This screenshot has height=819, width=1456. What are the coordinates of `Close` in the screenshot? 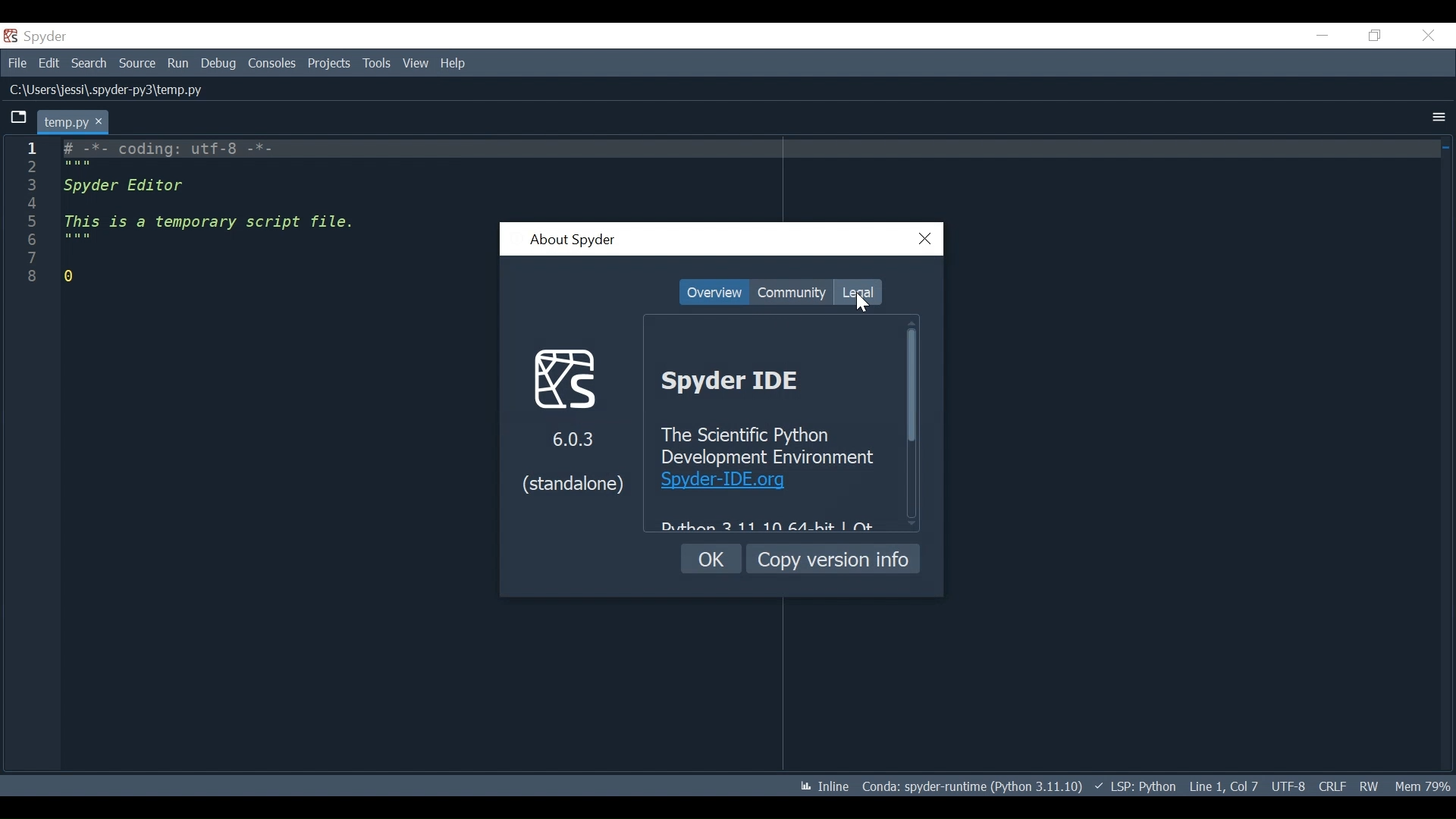 It's located at (1428, 36).